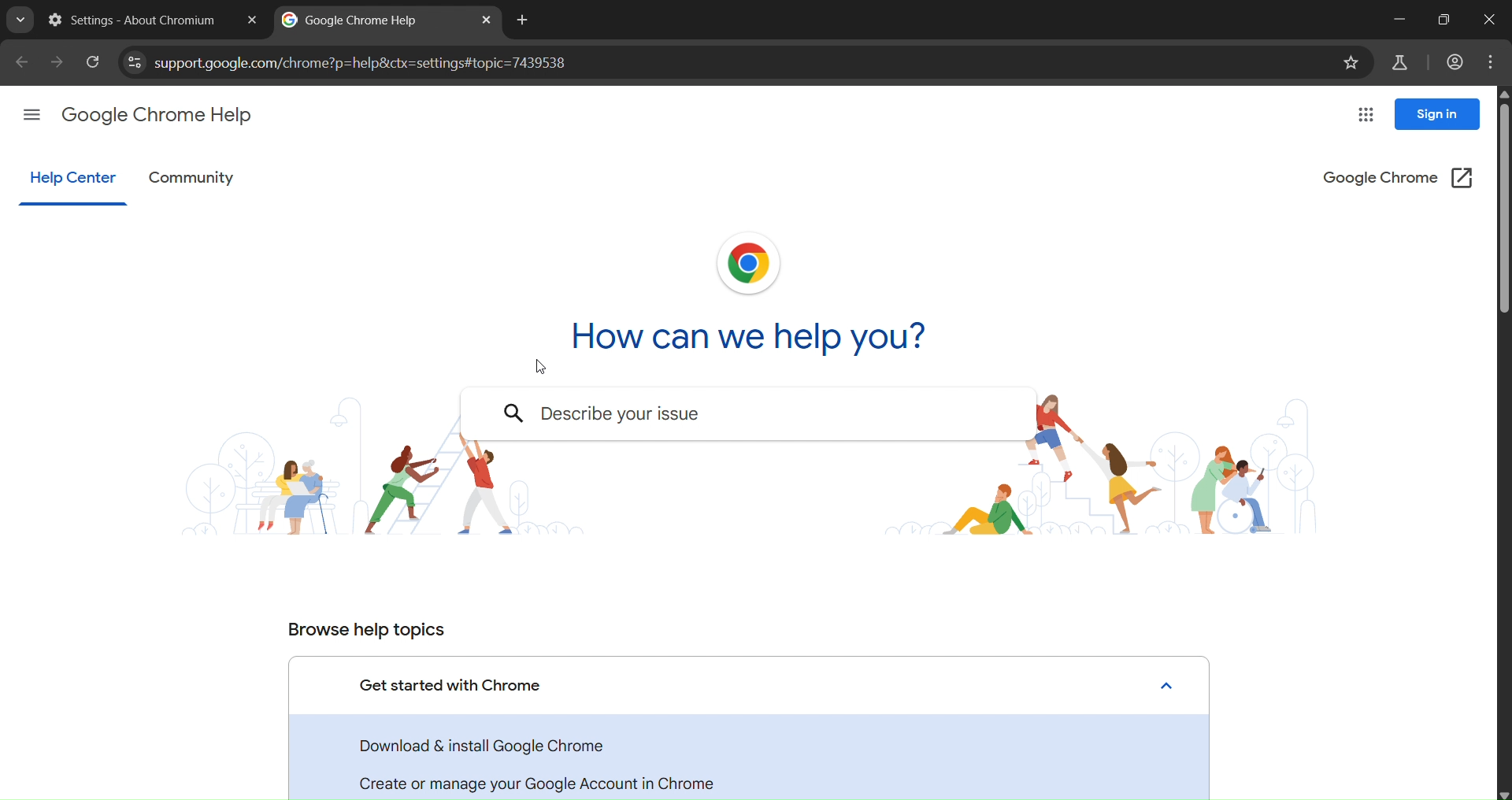 Image resolution: width=1512 pixels, height=800 pixels. Describe the element at coordinates (1111, 466) in the screenshot. I see `image` at that location.